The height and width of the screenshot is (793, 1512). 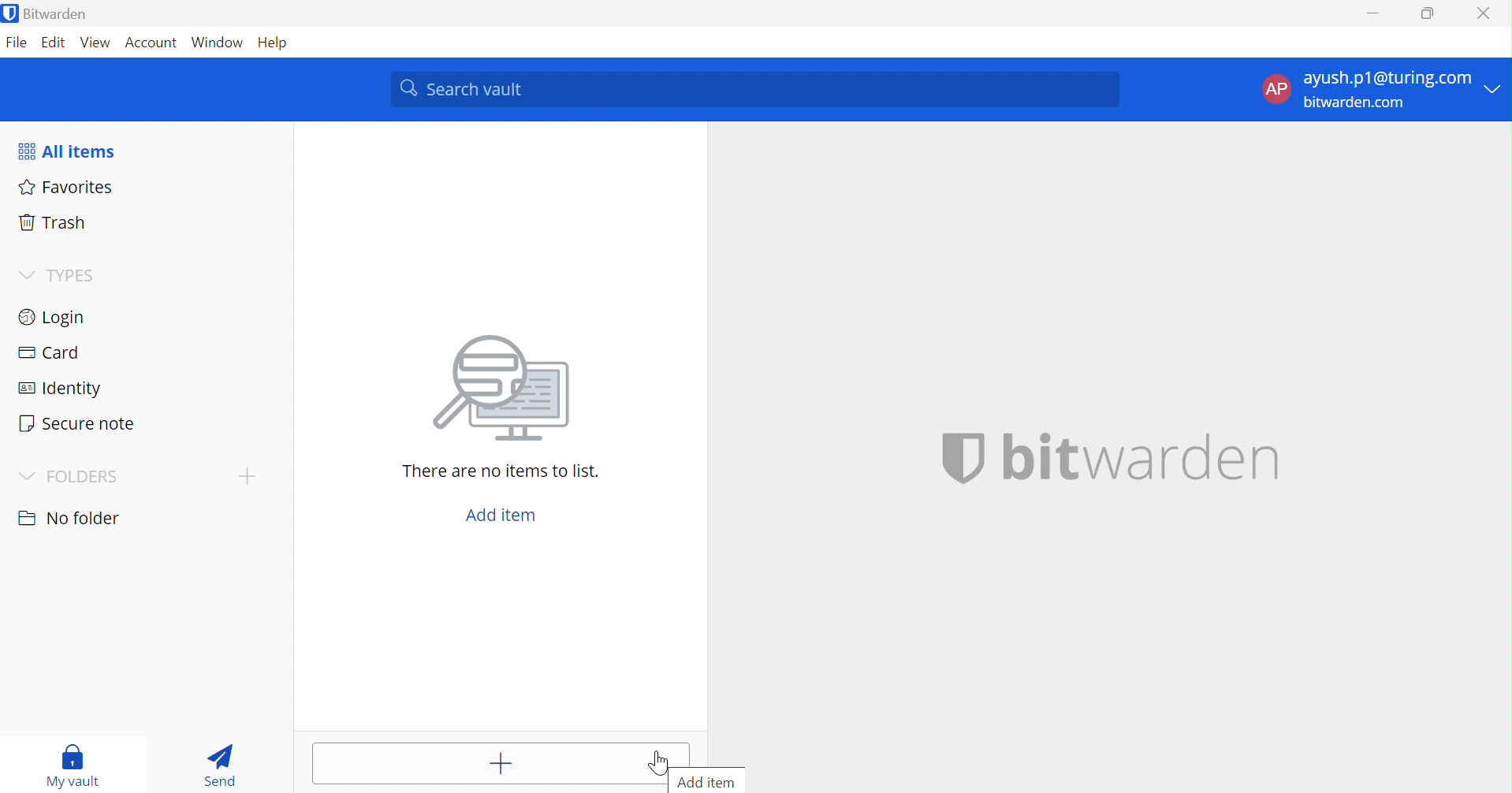 I want to click on Restore Down, so click(x=1428, y=11).